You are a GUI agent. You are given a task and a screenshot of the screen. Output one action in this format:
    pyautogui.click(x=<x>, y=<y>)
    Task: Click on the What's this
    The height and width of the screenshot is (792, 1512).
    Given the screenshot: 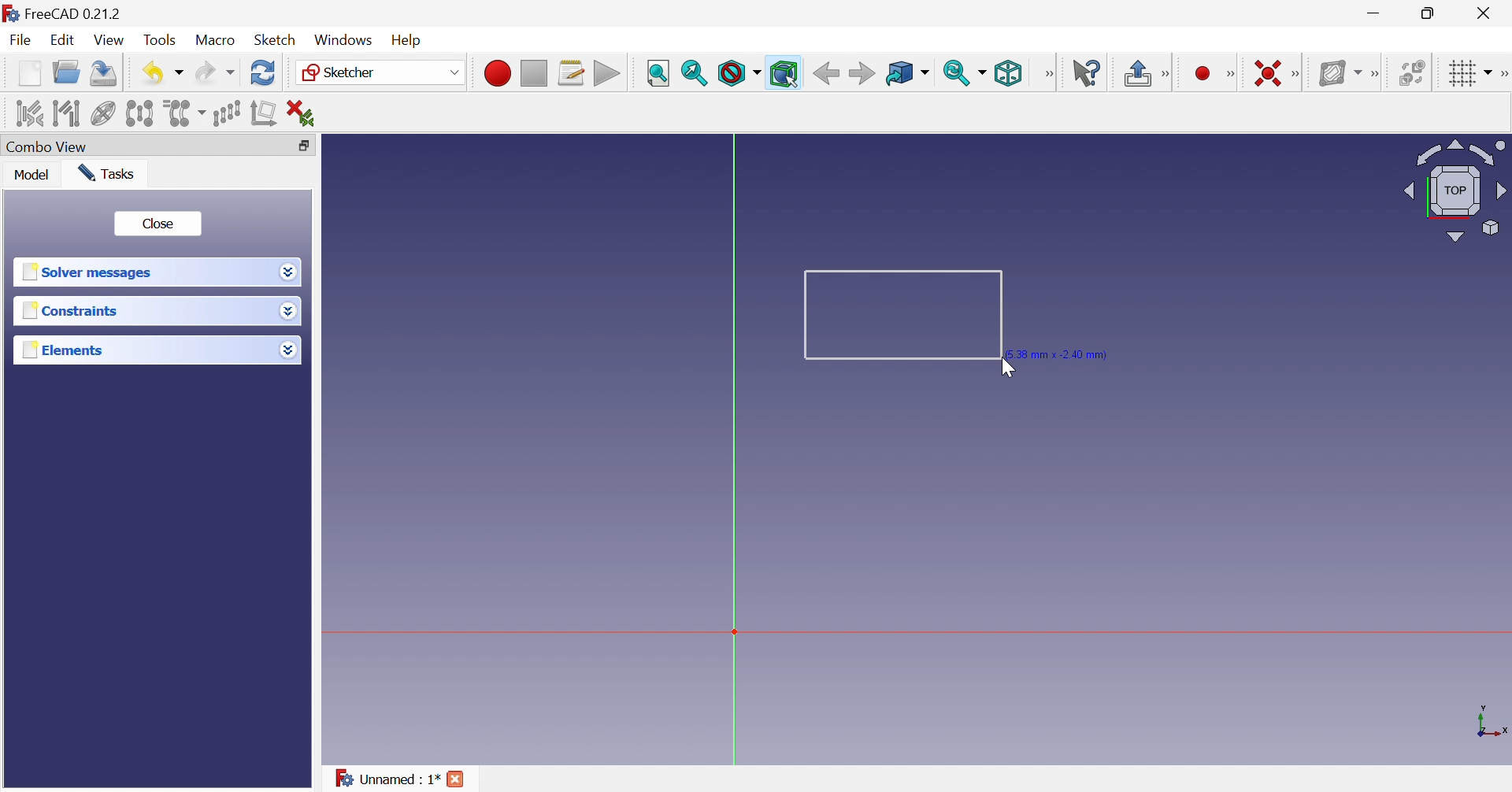 What is the action you would take?
    pyautogui.click(x=1091, y=72)
    